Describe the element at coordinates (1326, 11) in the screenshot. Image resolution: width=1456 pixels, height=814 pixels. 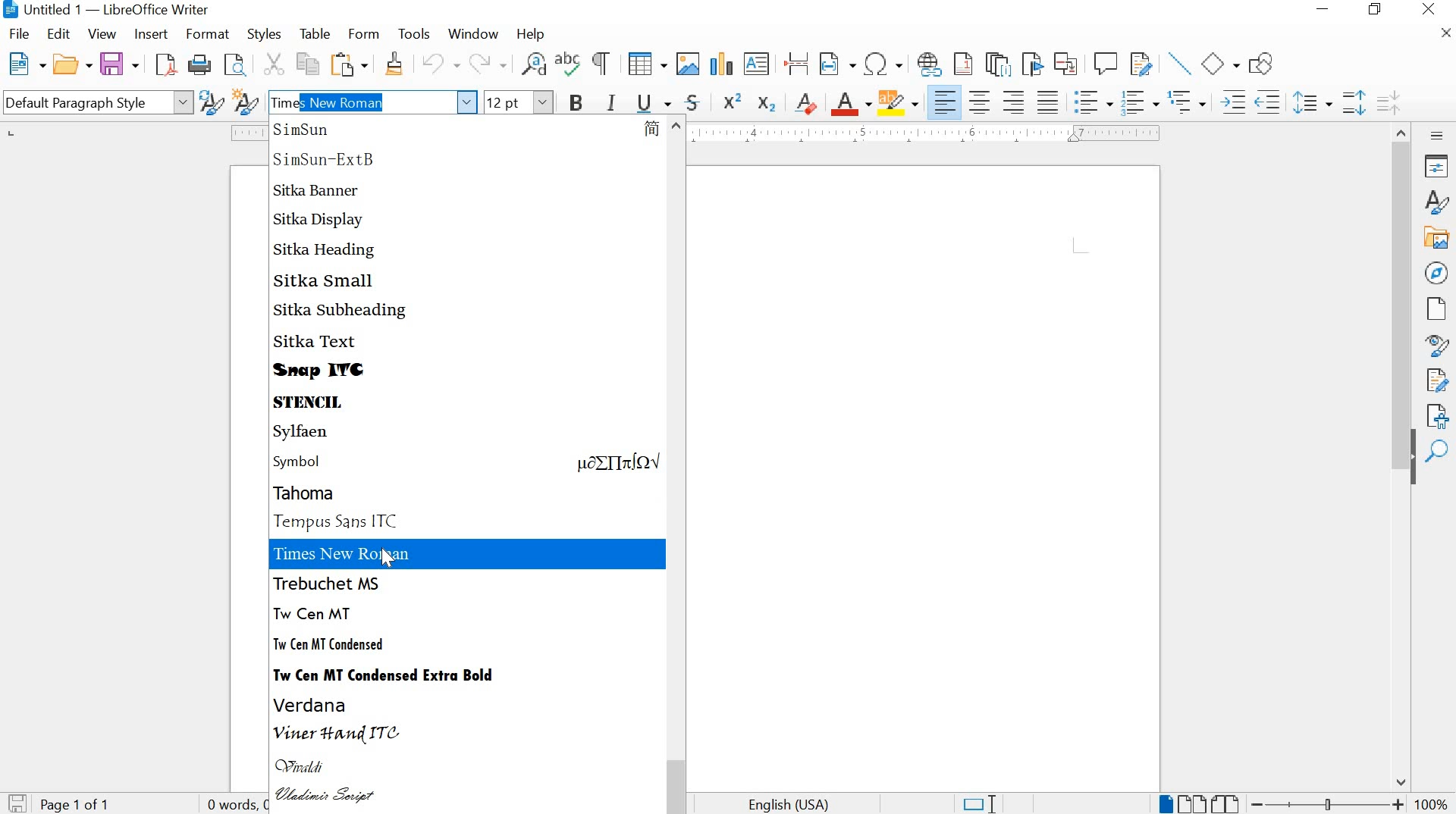
I see `MINIMIZE` at that location.